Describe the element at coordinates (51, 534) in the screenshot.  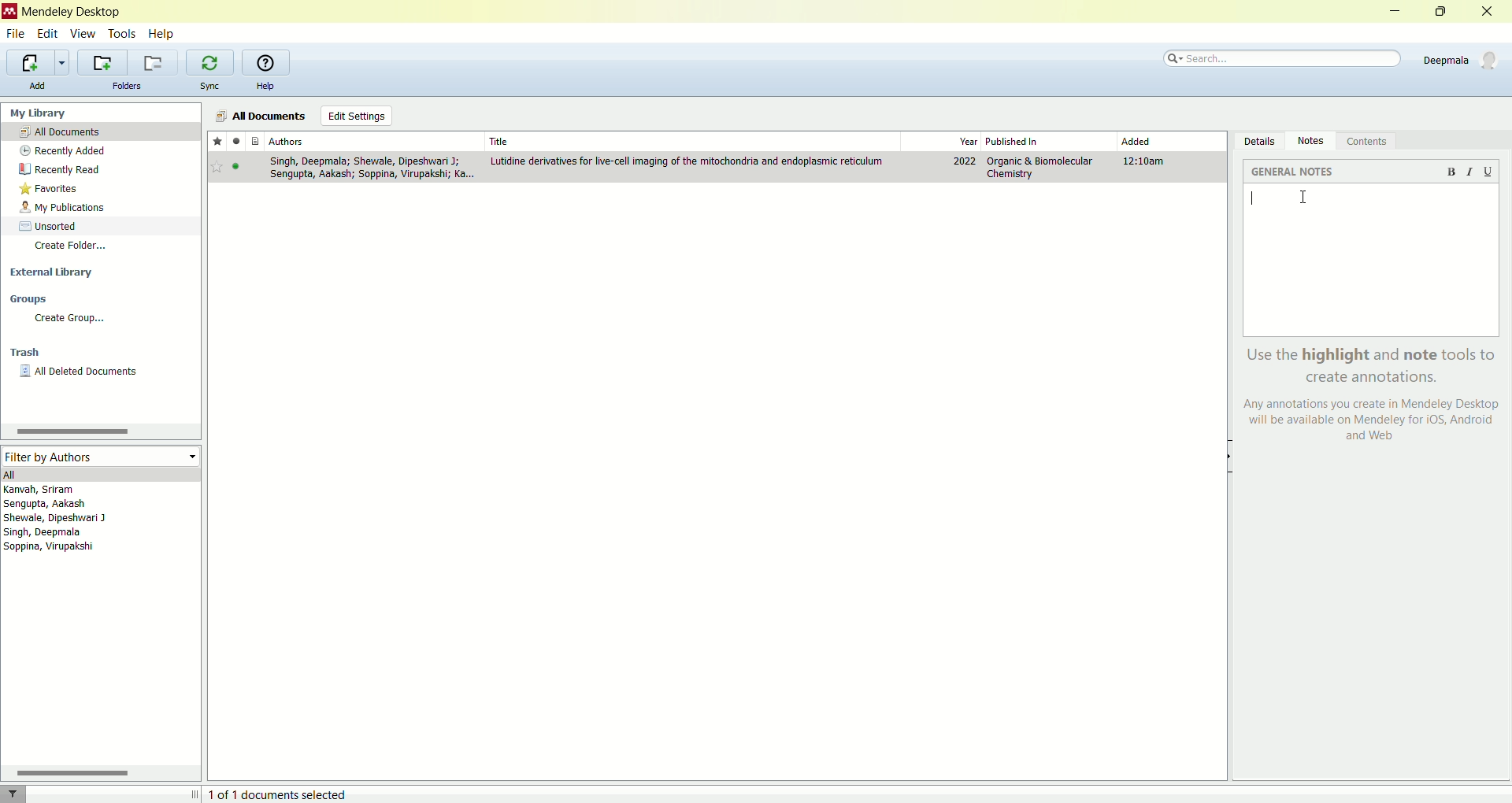
I see `Singh, Deepmala` at that location.